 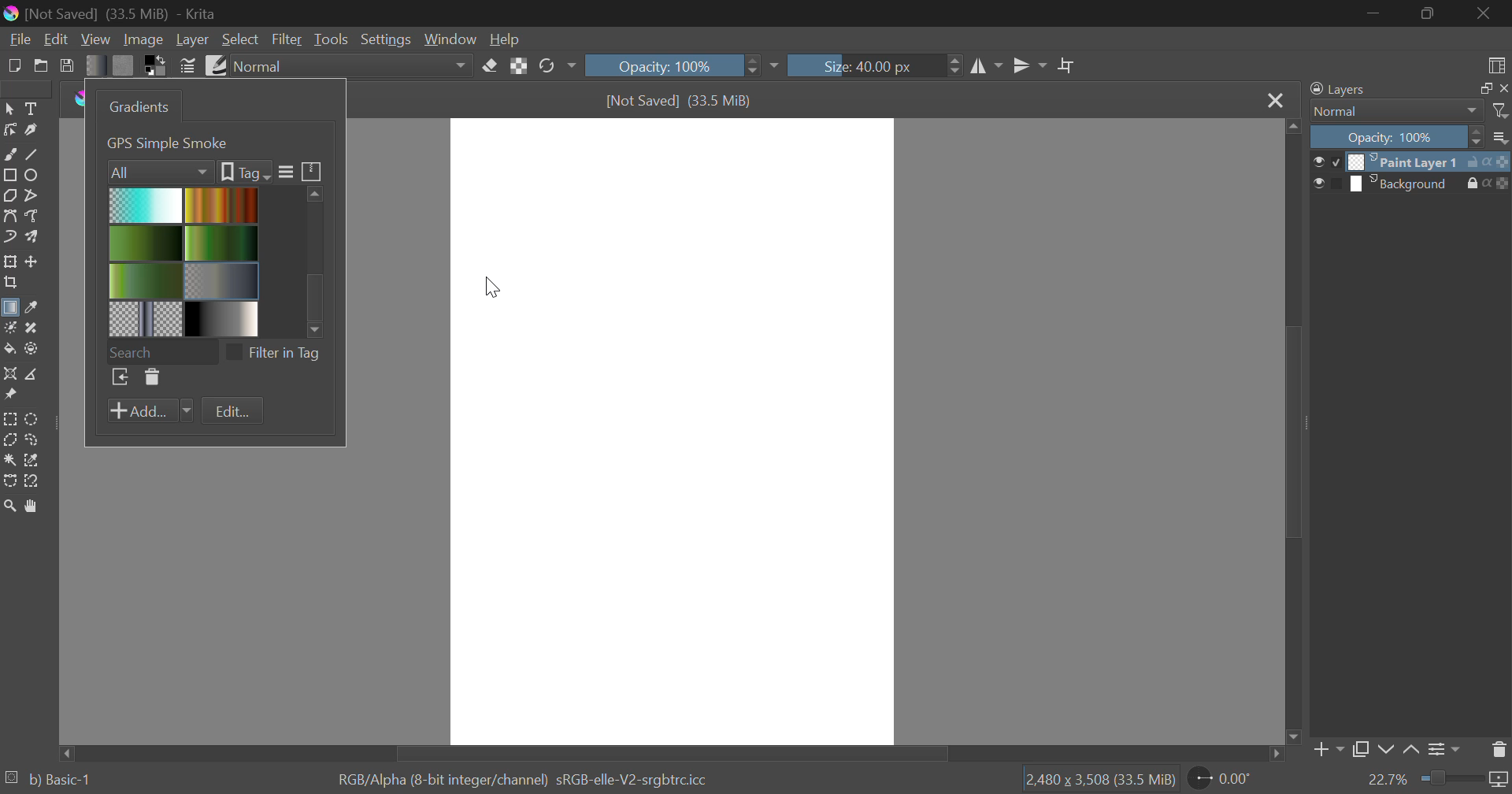 I want to click on Copy Layer, so click(x=1361, y=752).